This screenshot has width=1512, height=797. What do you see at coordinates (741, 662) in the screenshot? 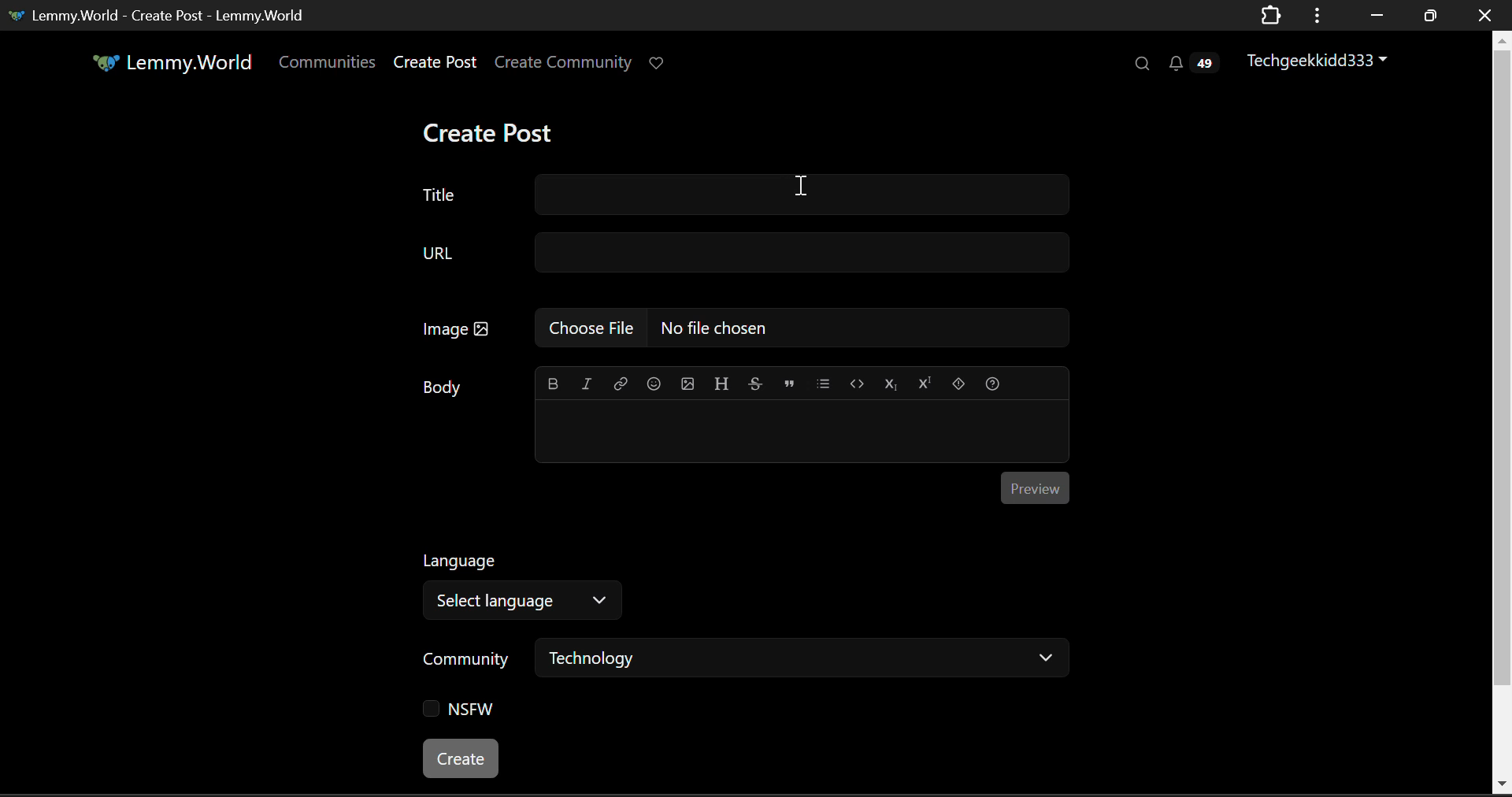
I see `Community: Technology` at bounding box center [741, 662].